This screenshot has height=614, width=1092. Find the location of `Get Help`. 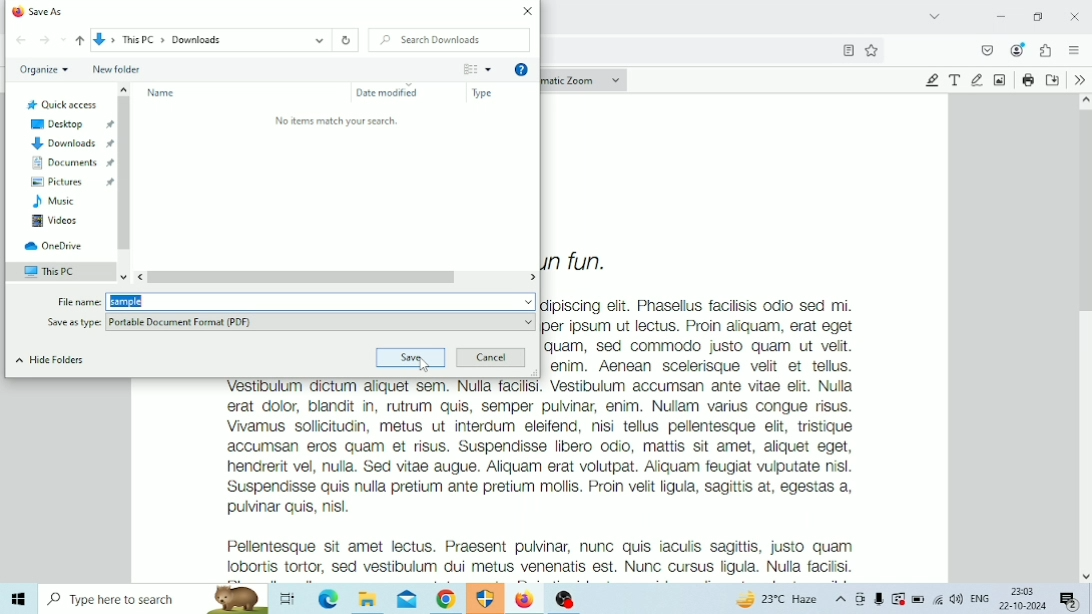

Get Help is located at coordinates (521, 70).